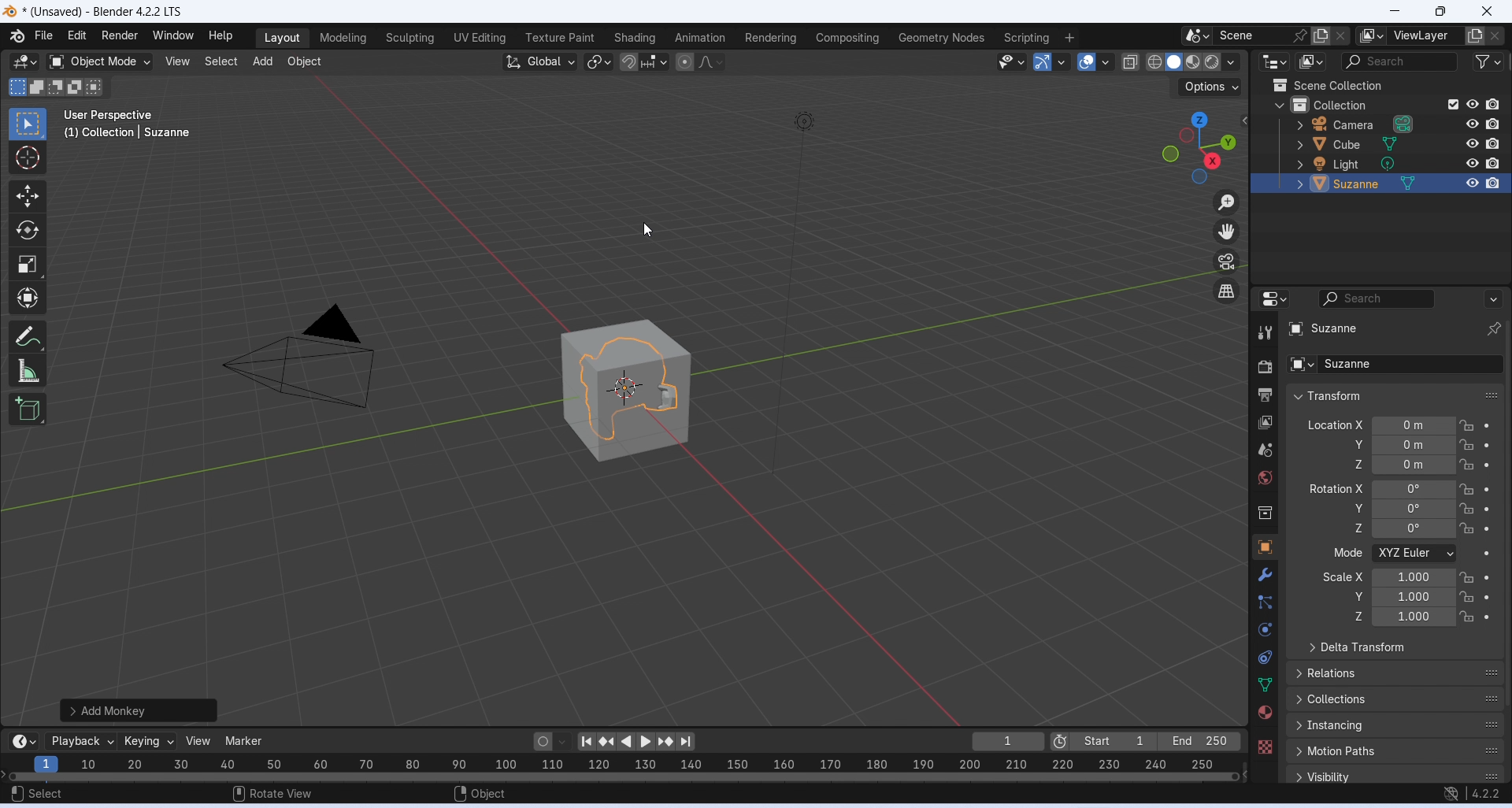 The height and width of the screenshot is (808, 1512). Describe the element at coordinates (10, 13) in the screenshot. I see `Logo` at that location.